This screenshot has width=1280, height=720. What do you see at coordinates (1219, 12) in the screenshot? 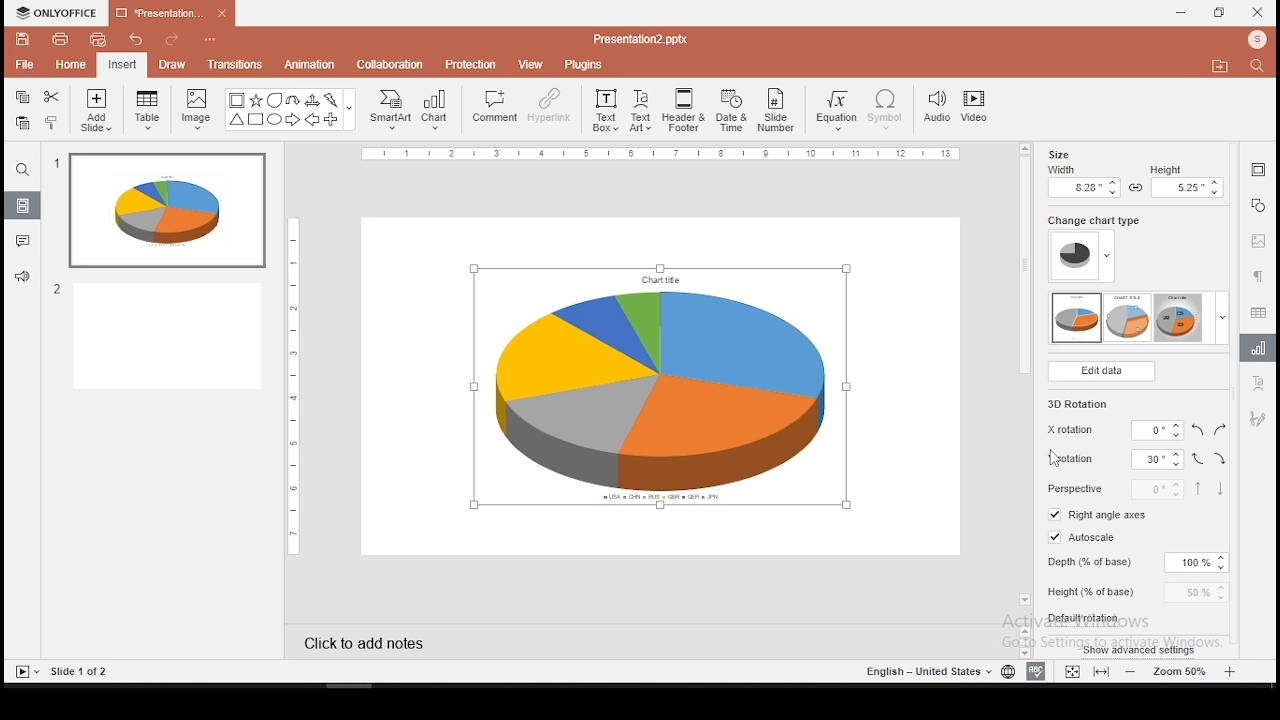
I see `restore` at bounding box center [1219, 12].